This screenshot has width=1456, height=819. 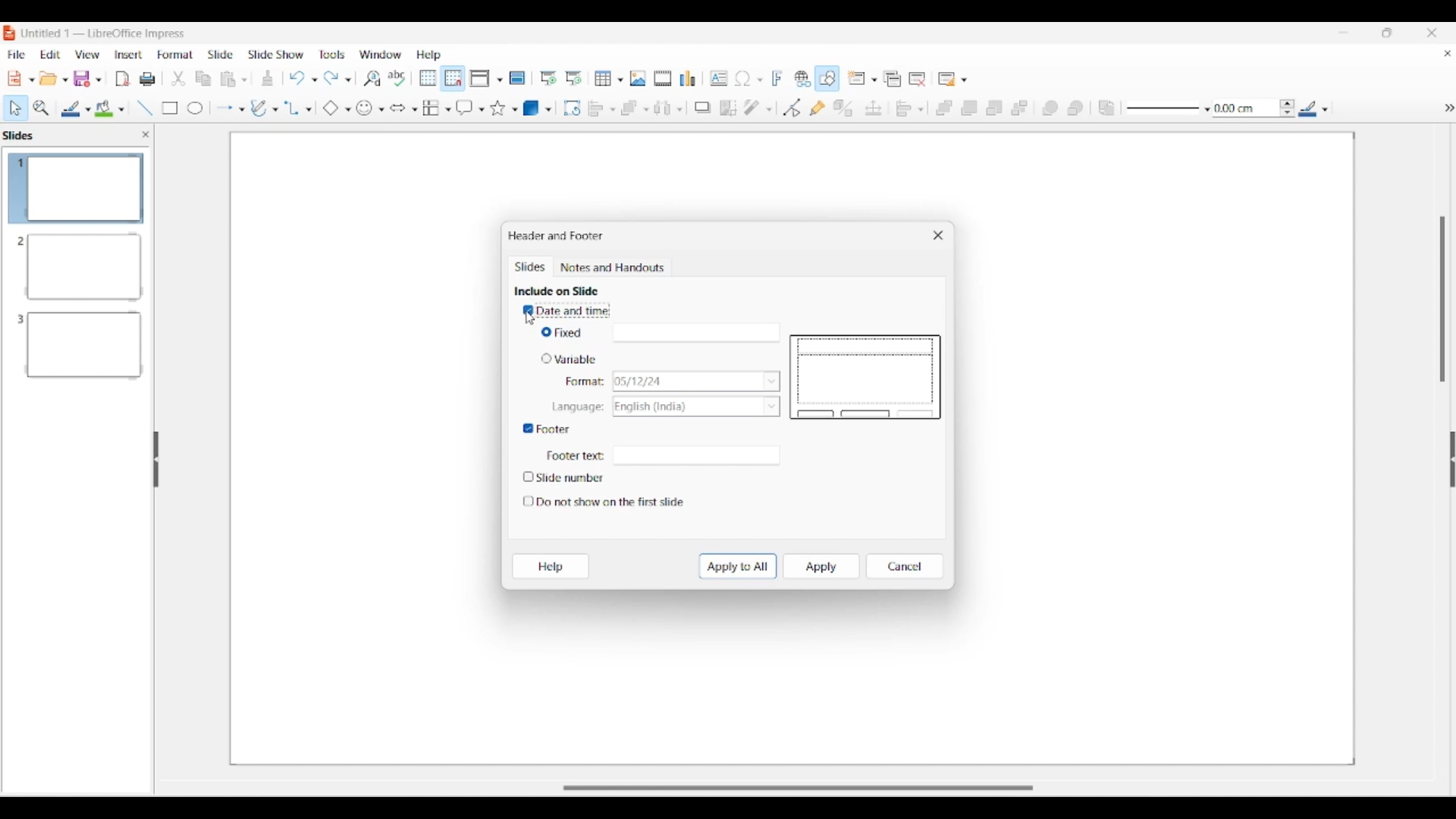 I want to click on File menu, so click(x=16, y=55).